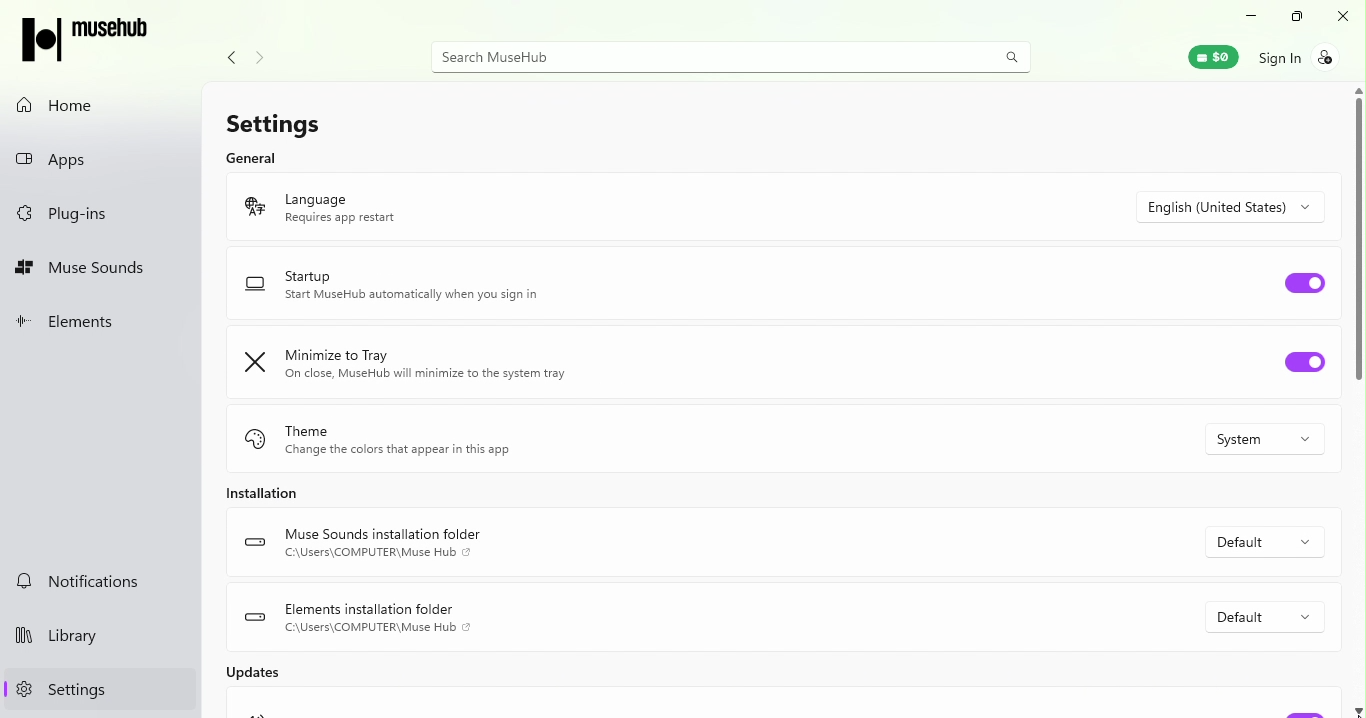  What do you see at coordinates (107, 106) in the screenshot?
I see `Home` at bounding box center [107, 106].